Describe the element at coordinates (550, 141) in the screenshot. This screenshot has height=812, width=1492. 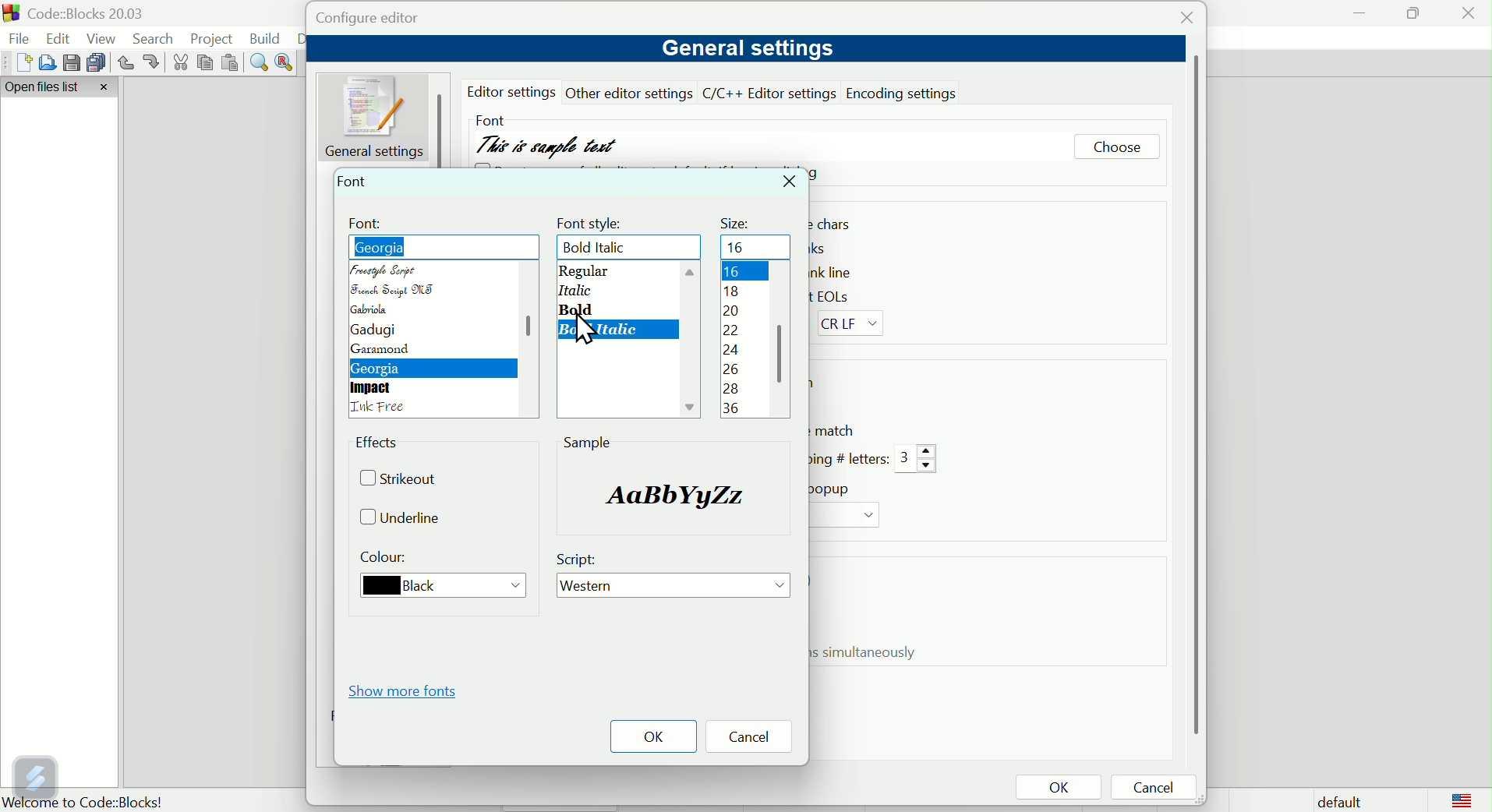
I see `This is sample text` at that location.